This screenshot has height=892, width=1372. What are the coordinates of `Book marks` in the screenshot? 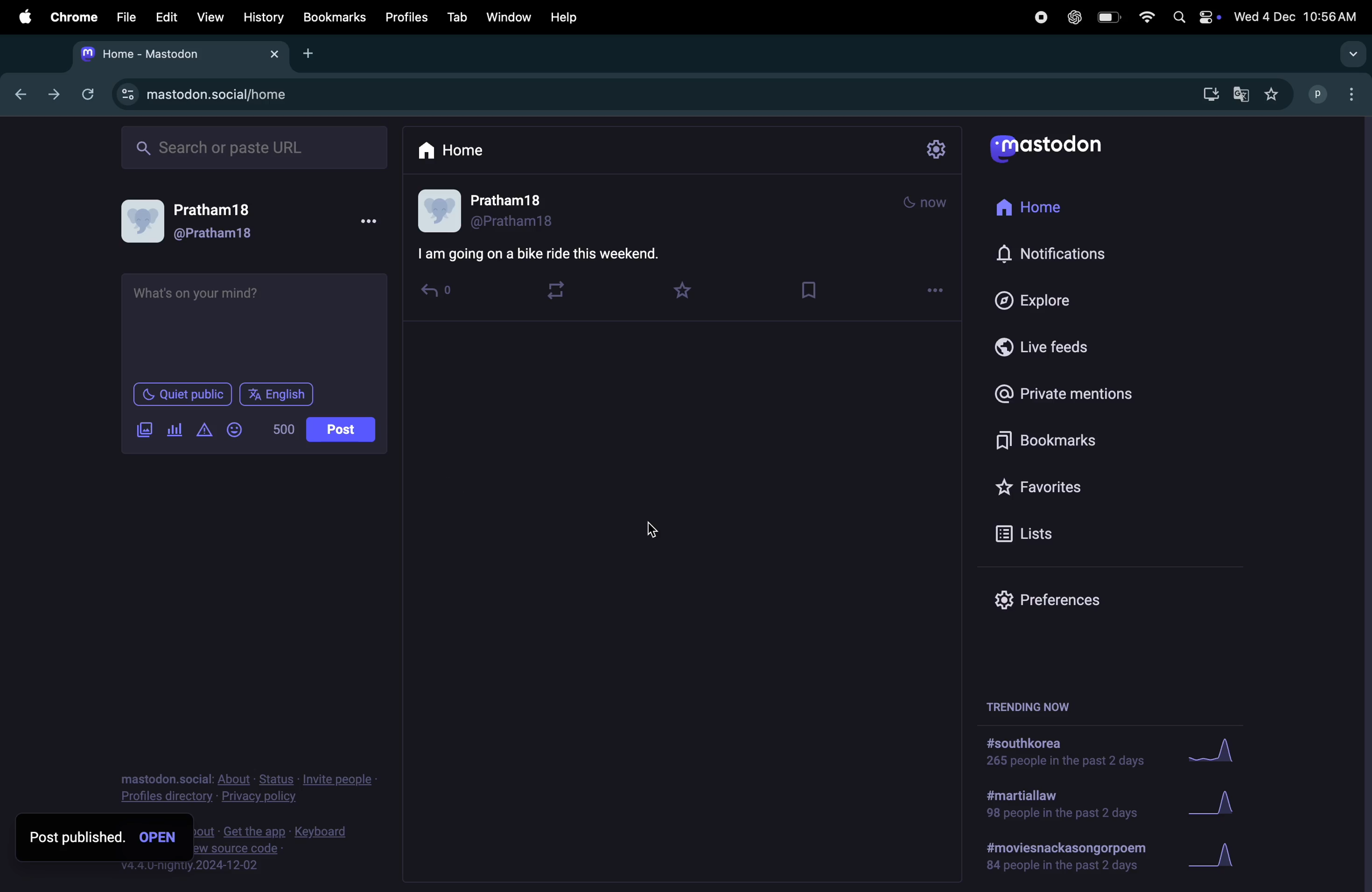 It's located at (334, 17).